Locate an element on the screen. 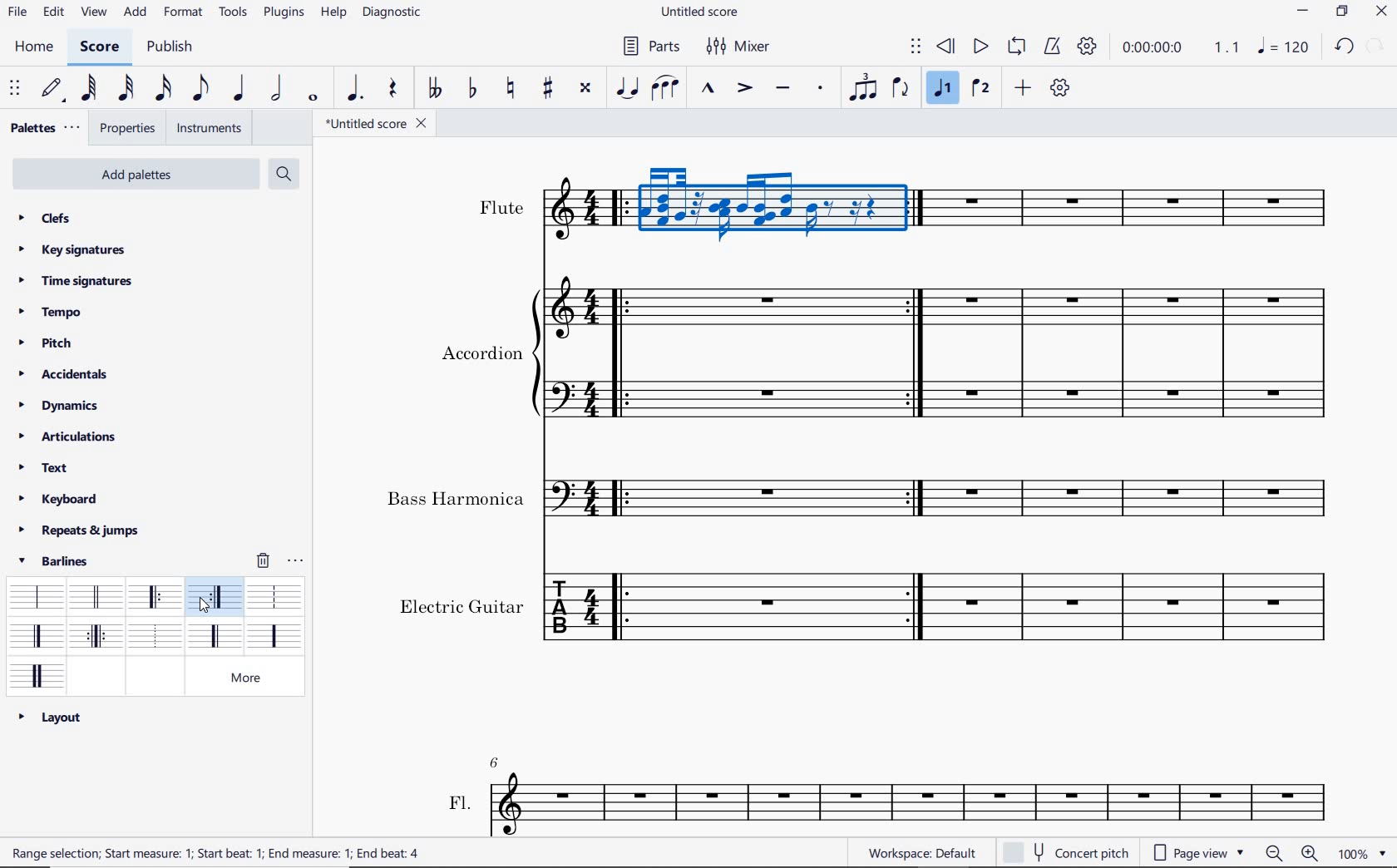  NOTE is located at coordinates (1282, 47).